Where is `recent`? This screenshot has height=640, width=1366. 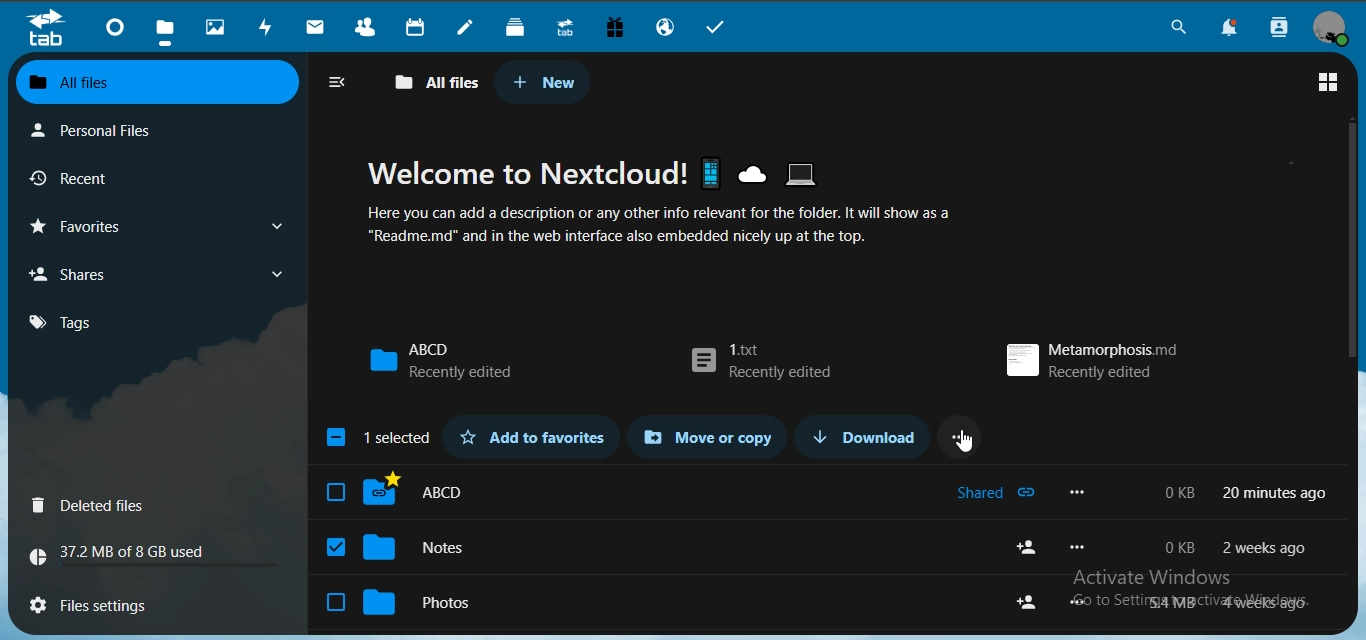 recent is located at coordinates (106, 177).